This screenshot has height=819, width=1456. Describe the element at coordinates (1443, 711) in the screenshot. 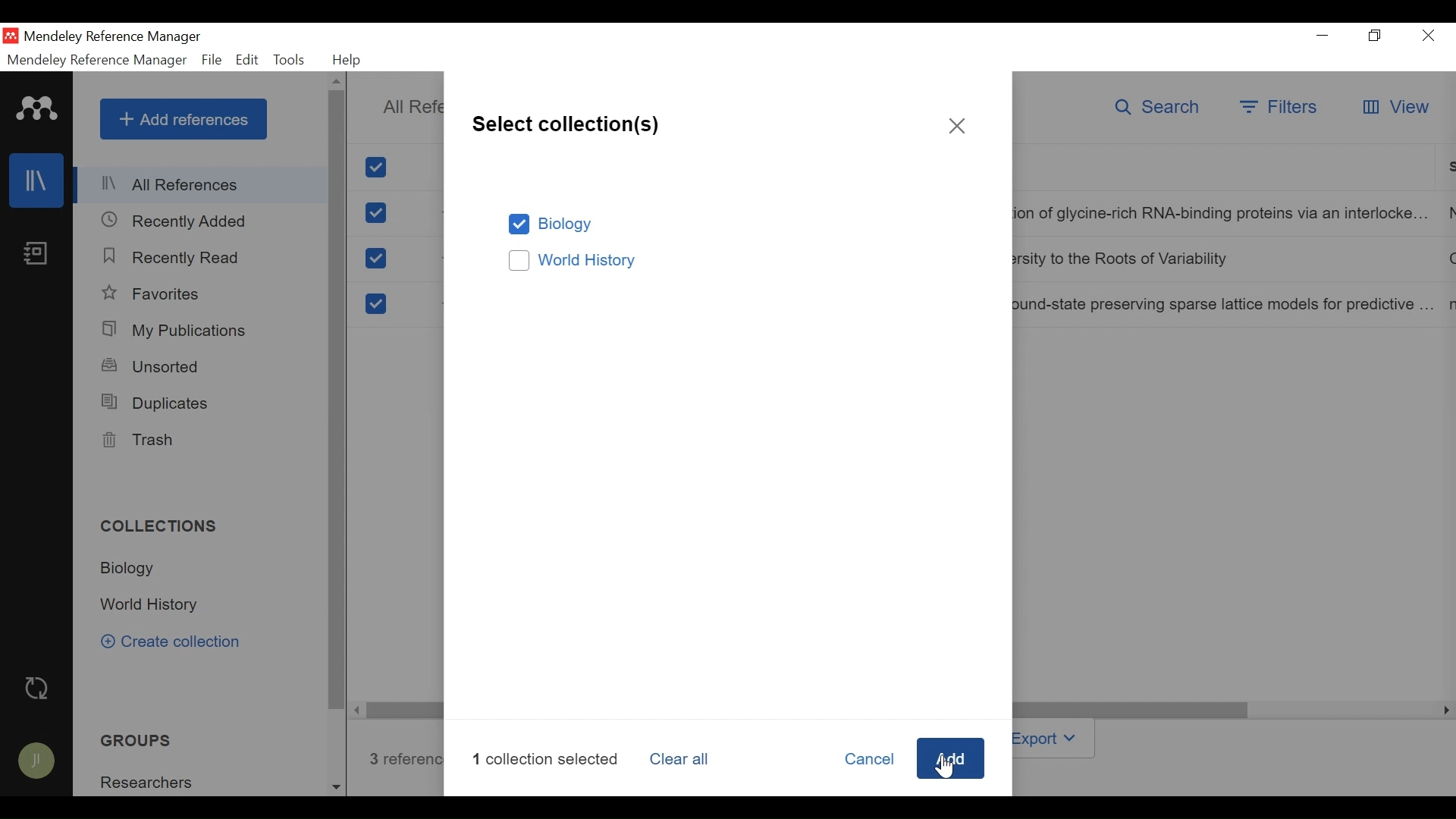

I see `Scroll Right` at that location.